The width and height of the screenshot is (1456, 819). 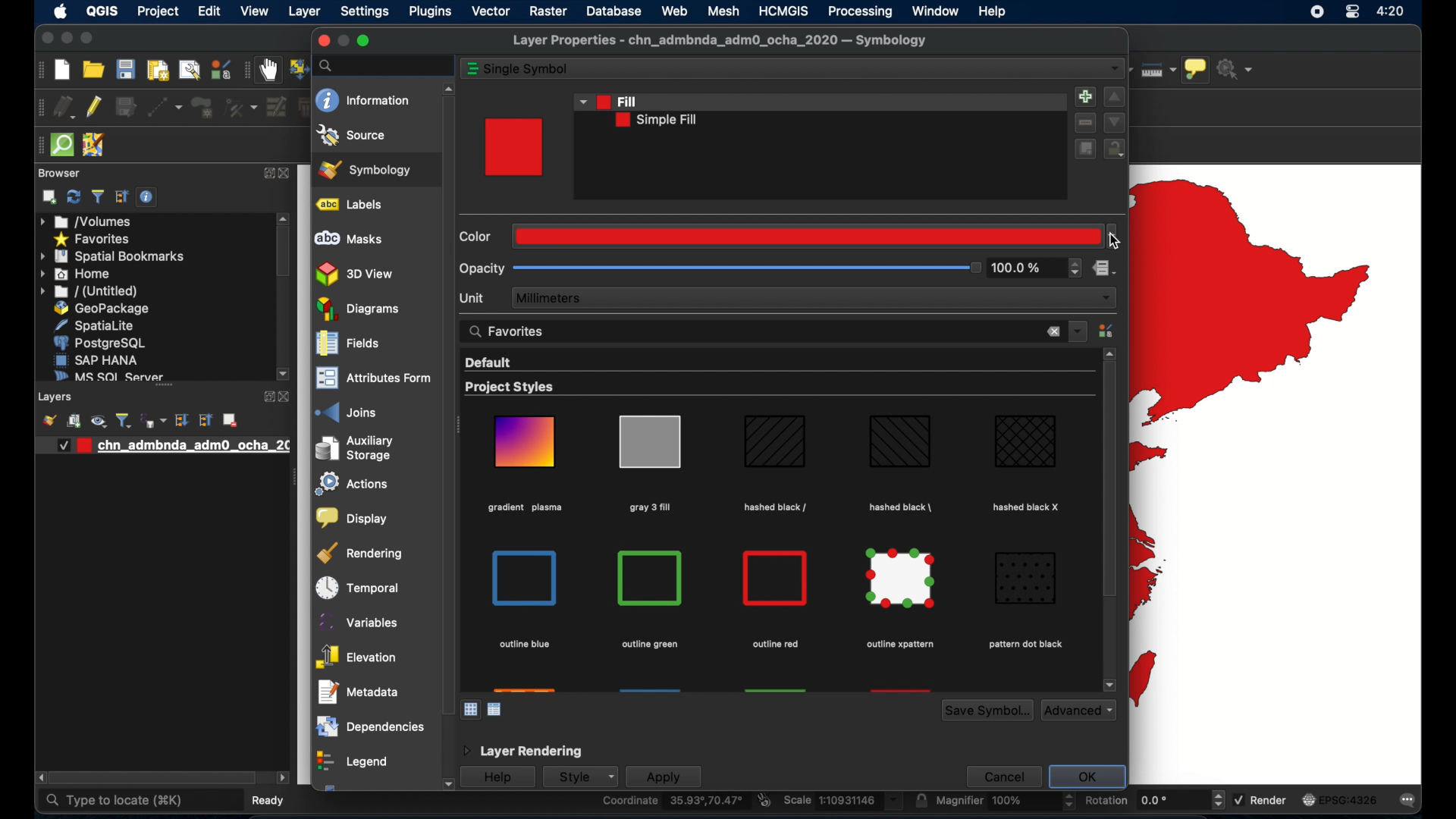 What do you see at coordinates (1084, 149) in the screenshot?
I see `duplicate symbol layer's color` at bounding box center [1084, 149].